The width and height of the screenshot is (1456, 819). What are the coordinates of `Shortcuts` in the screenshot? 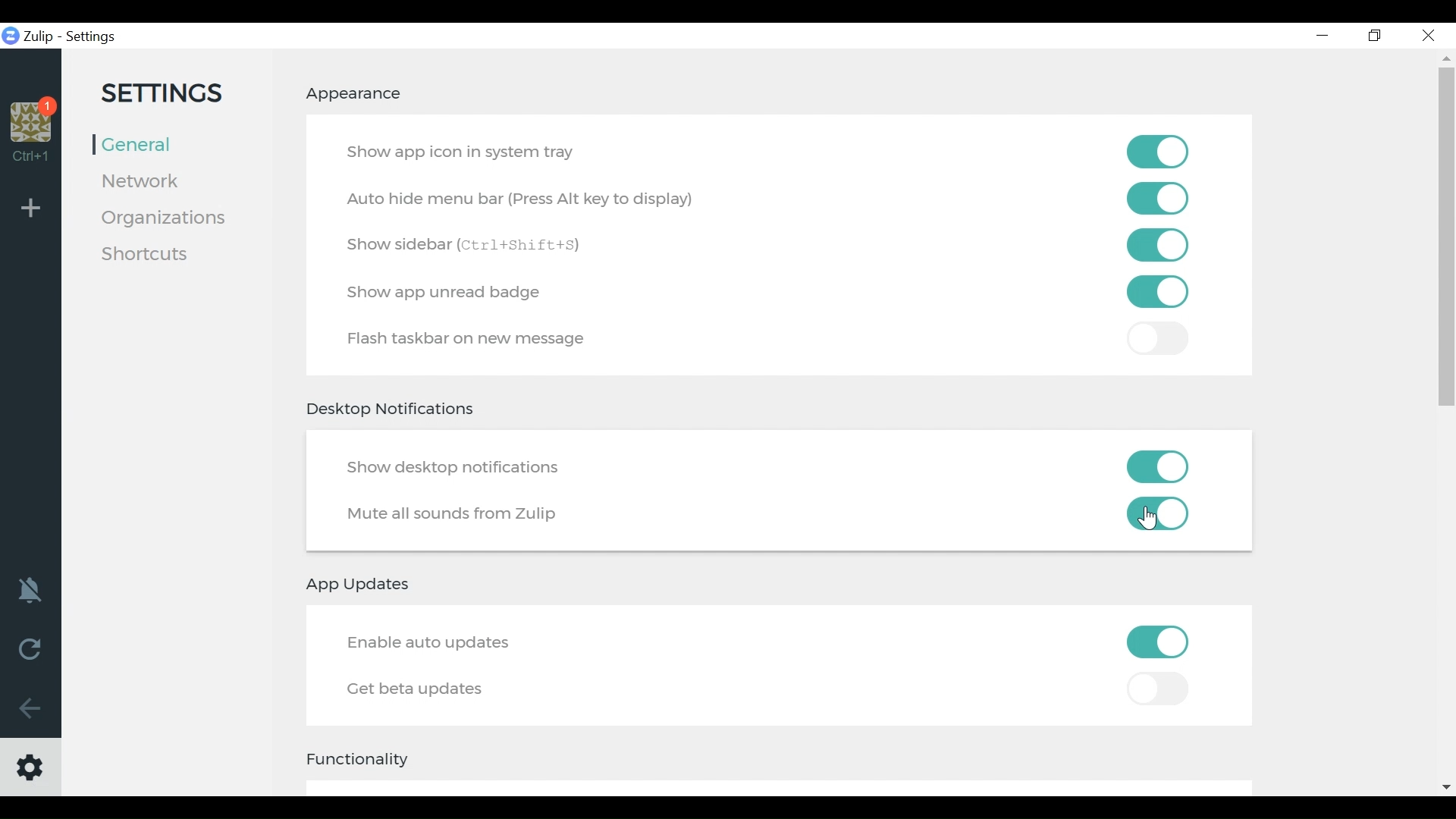 It's located at (149, 256).